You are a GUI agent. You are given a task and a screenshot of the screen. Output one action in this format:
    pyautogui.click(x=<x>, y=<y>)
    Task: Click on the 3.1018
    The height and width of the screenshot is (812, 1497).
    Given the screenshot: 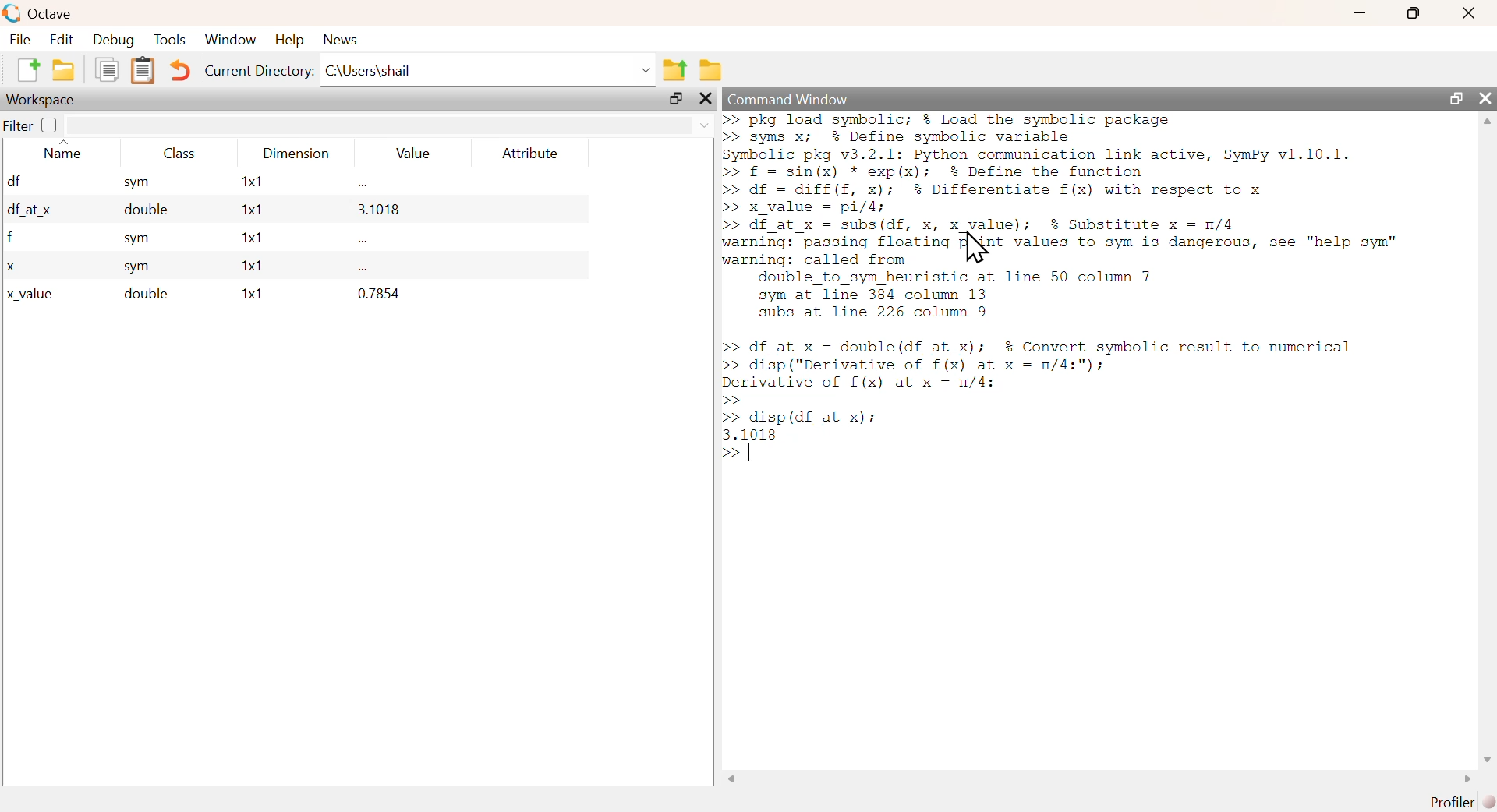 What is the action you would take?
    pyautogui.click(x=379, y=210)
    